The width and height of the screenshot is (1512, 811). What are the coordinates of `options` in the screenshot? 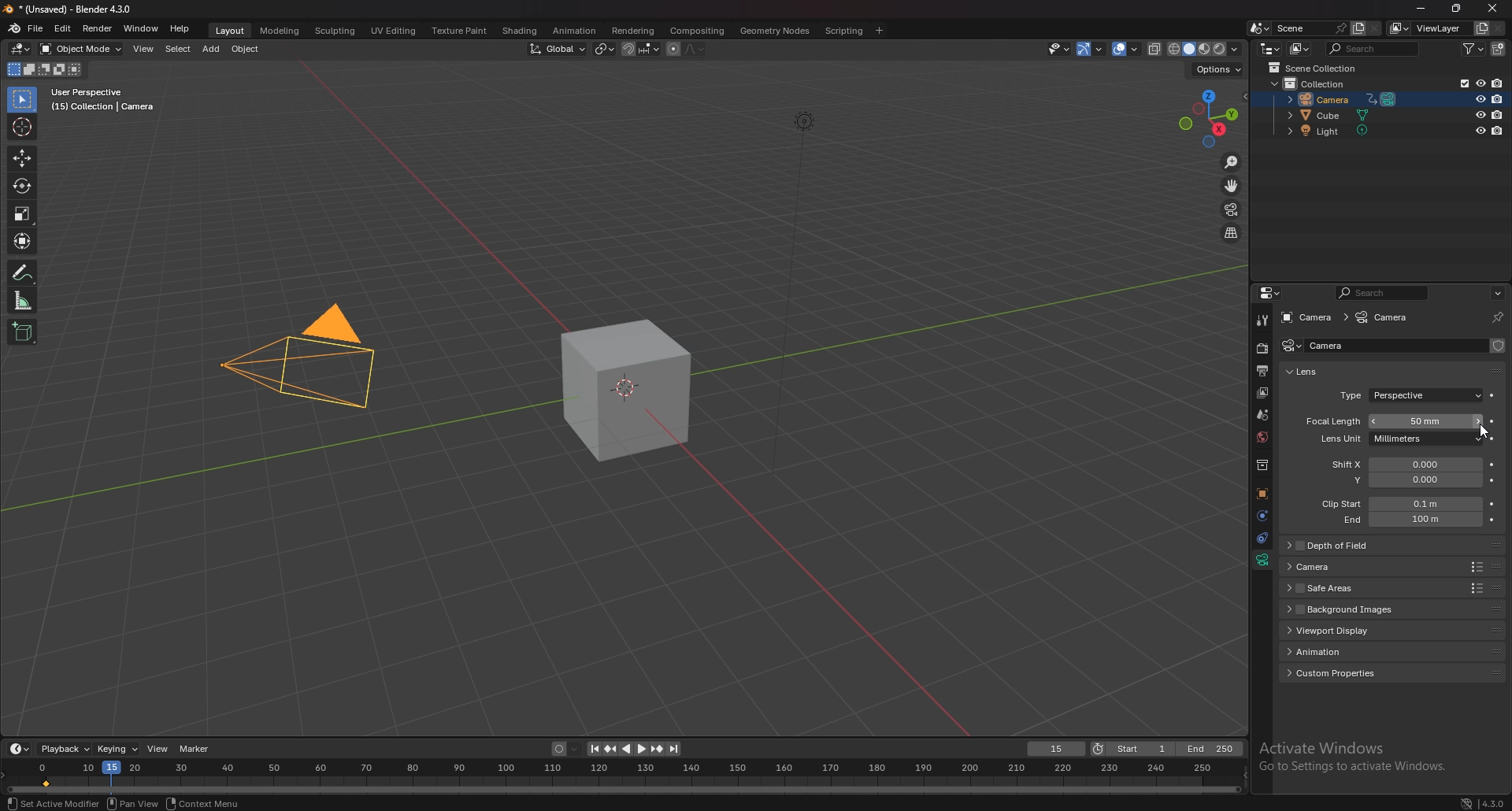 It's located at (1219, 69).